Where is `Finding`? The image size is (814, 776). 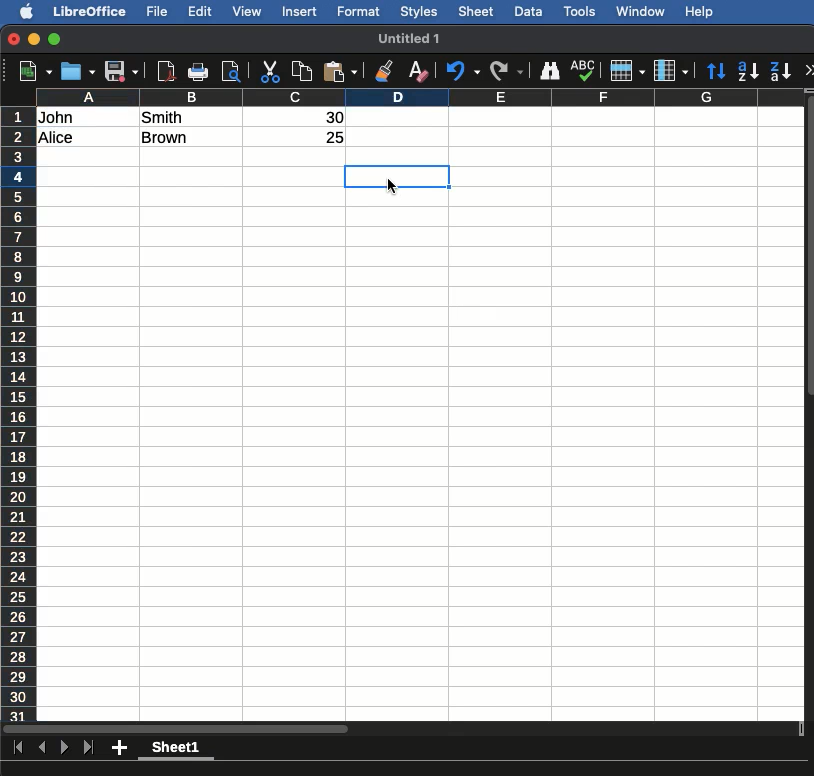 Finding is located at coordinates (550, 70).